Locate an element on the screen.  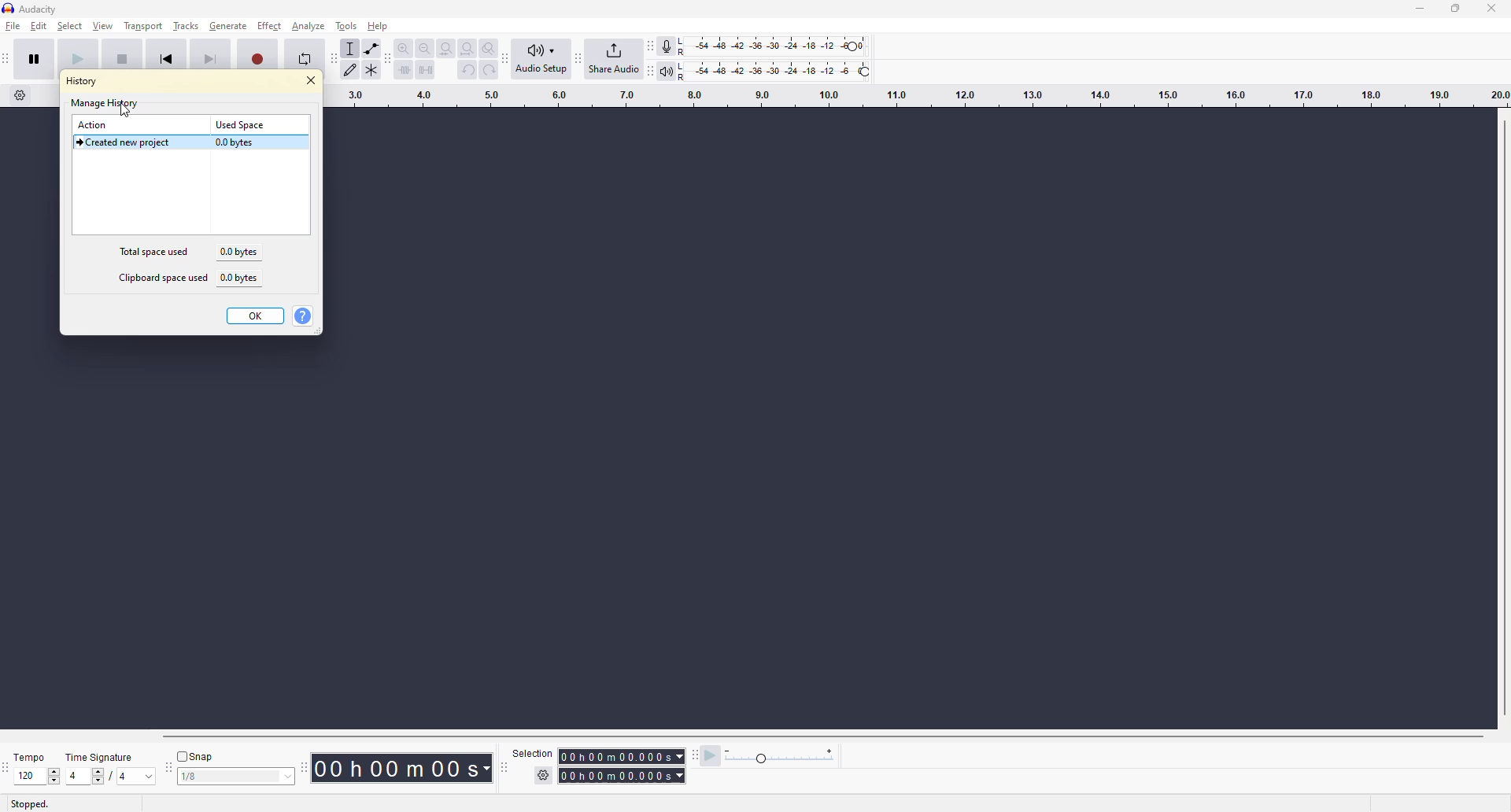
fit selection to width is located at coordinates (447, 50).